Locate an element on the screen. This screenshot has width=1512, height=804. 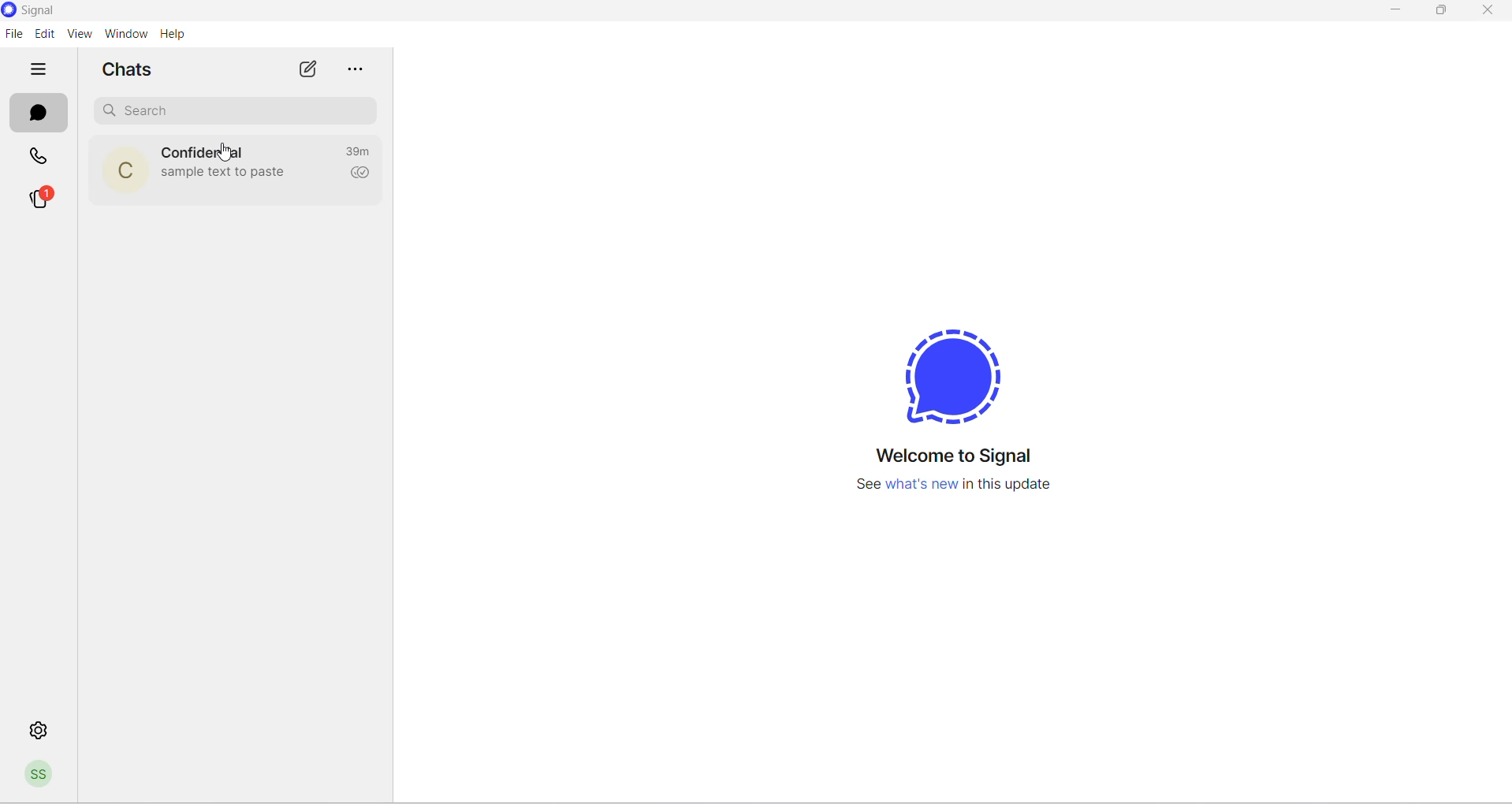
application name and logo is located at coordinates (43, 11).